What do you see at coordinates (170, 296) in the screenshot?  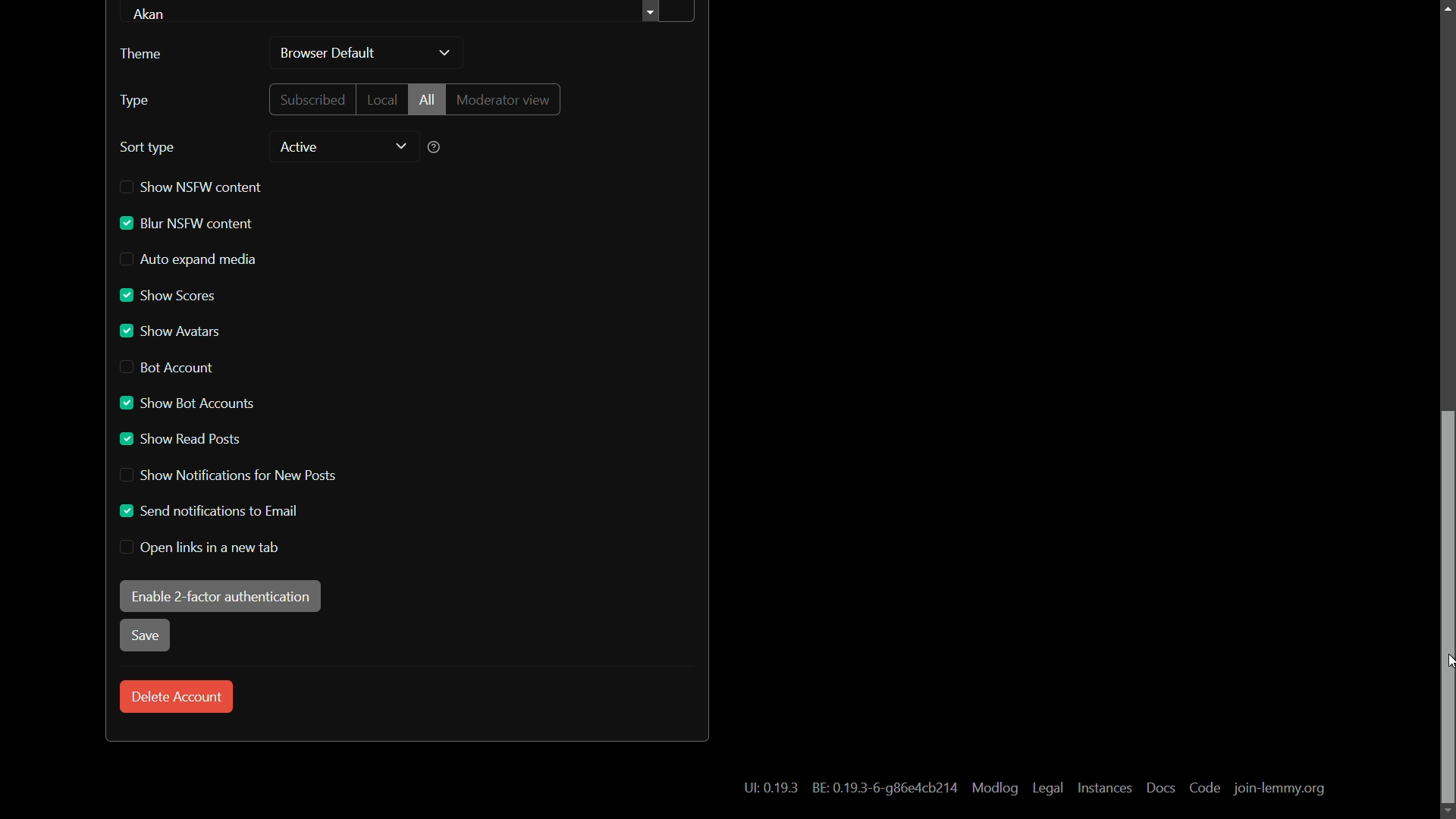 I see `show scores` at bounding box center [170, 296].